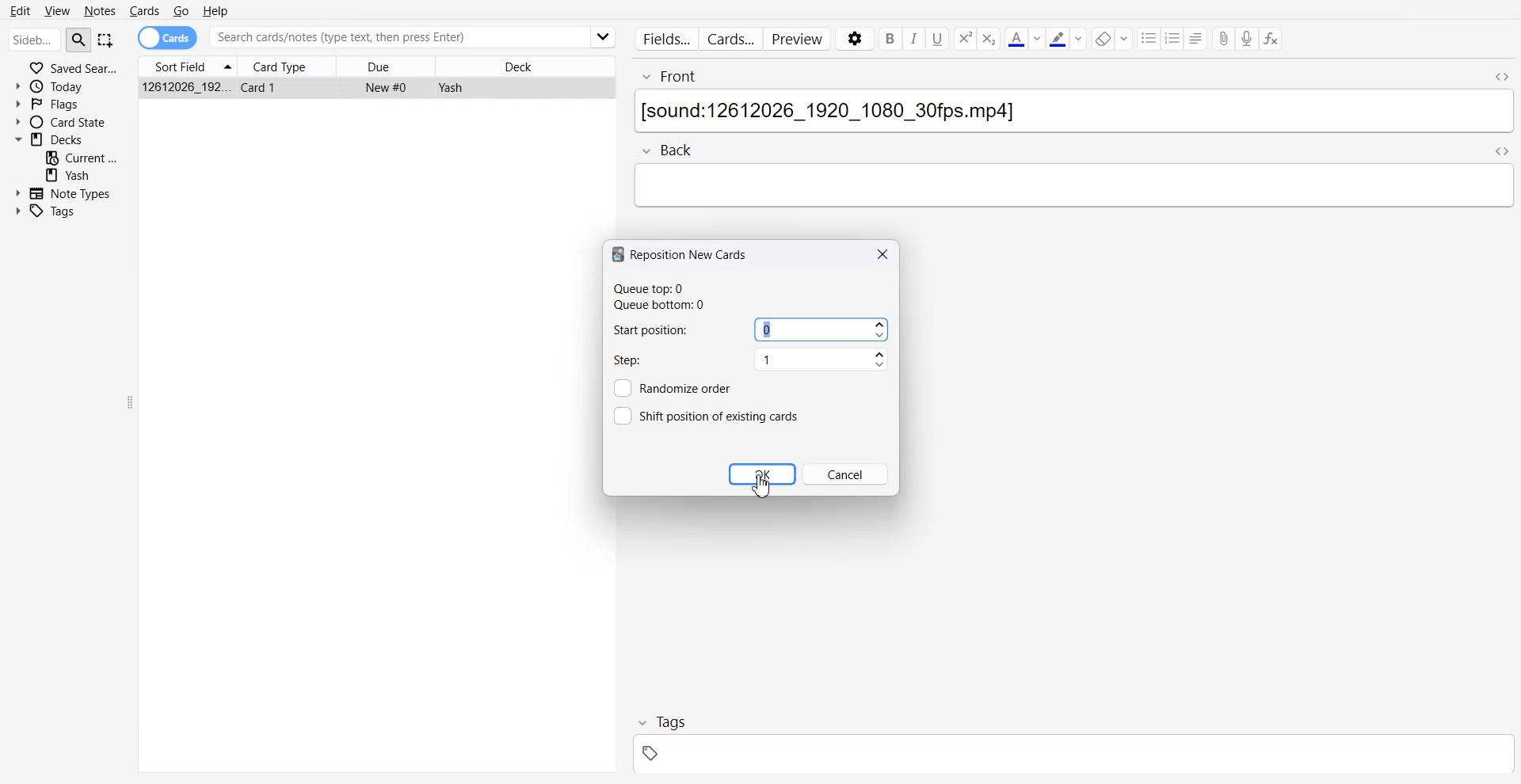 This screenshot has height=784, width=1521. I want to click on Note Types, so click(63, 192).